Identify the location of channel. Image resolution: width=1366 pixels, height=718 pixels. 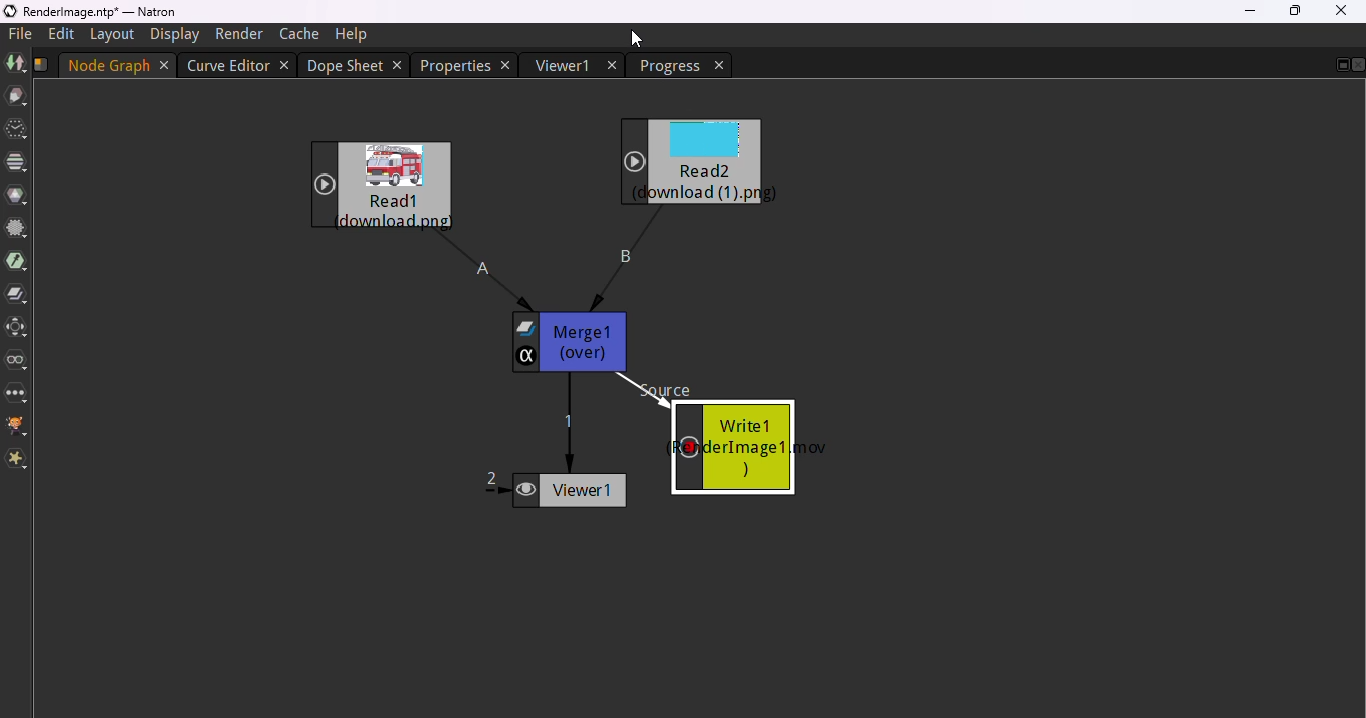
(16, 164).